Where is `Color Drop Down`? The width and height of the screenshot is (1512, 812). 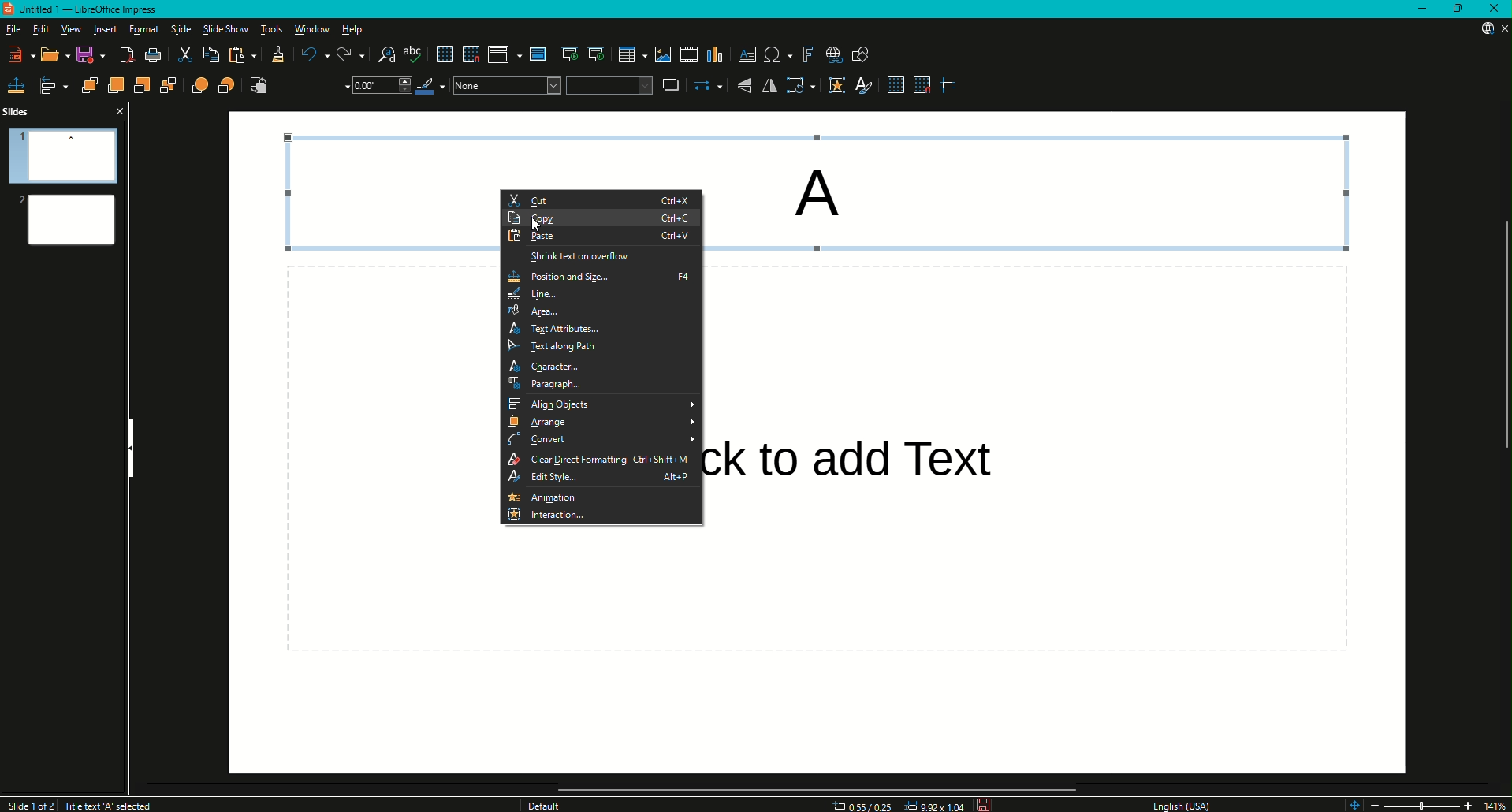
Color Drop Down is located at coordinates (504, 88).